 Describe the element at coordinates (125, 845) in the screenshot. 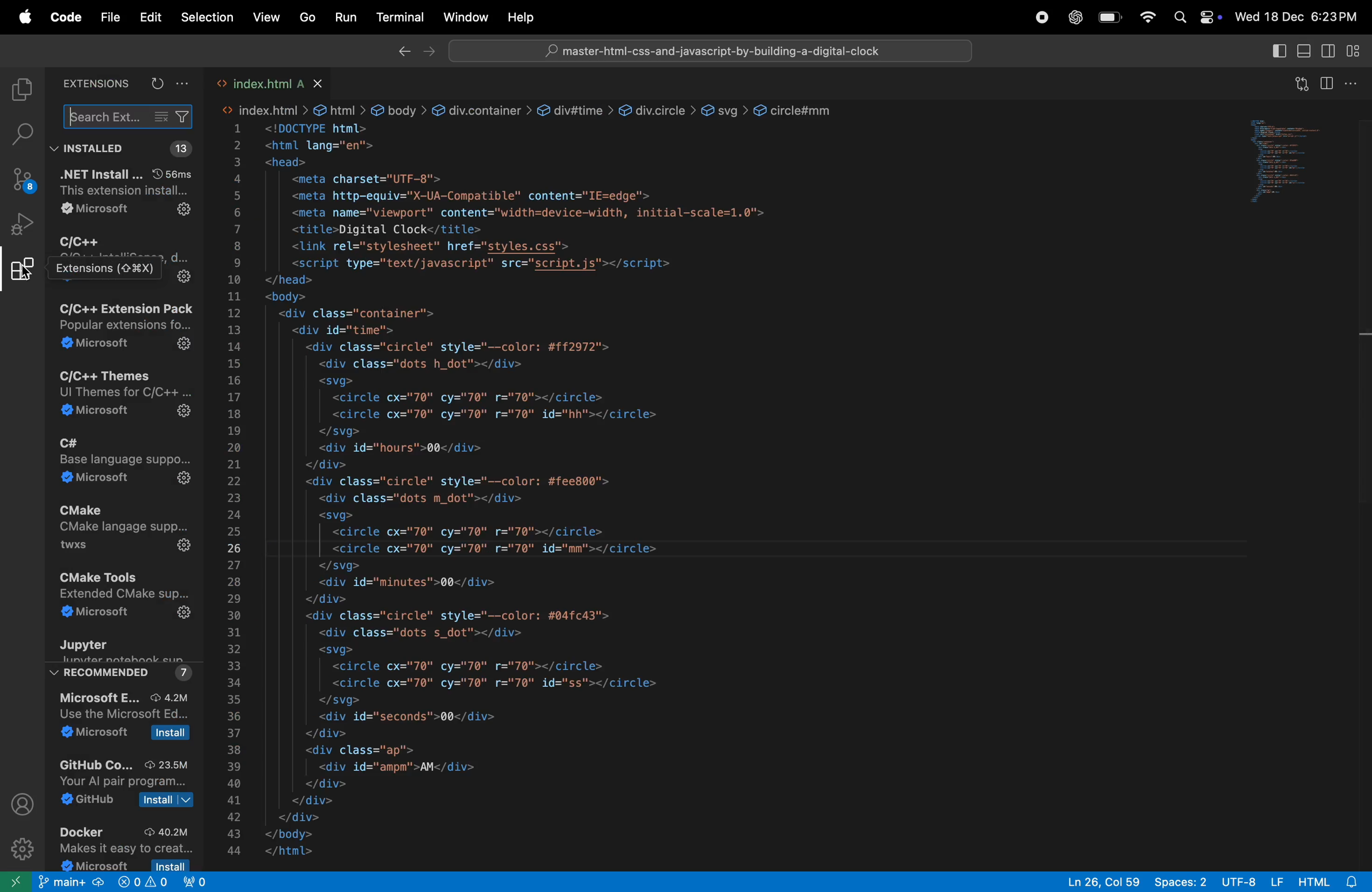

I see `docker ` at that location.